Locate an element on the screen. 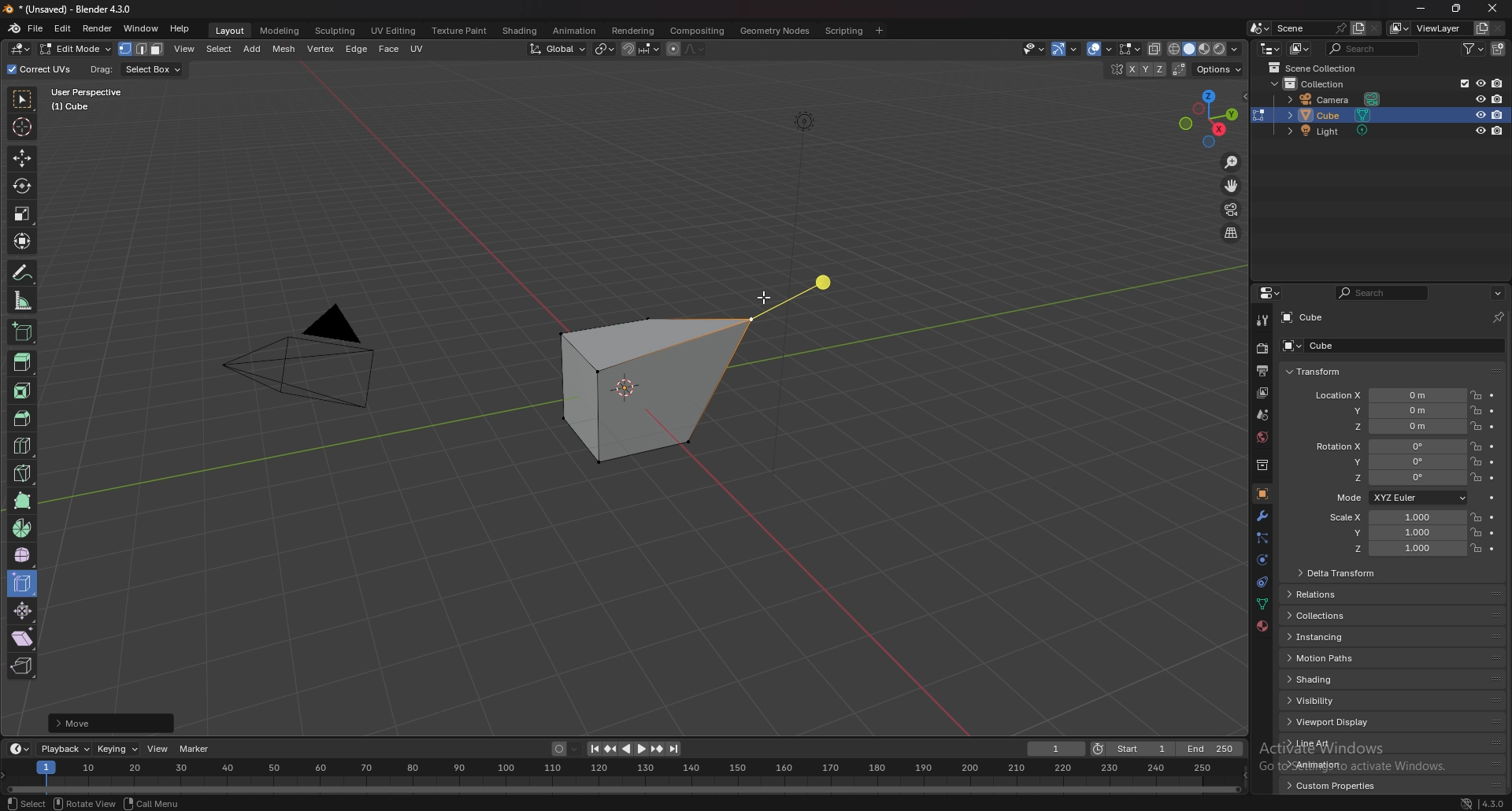 This screenshot has width=1512, height=811. poly build is located at coordinates (23, 501).